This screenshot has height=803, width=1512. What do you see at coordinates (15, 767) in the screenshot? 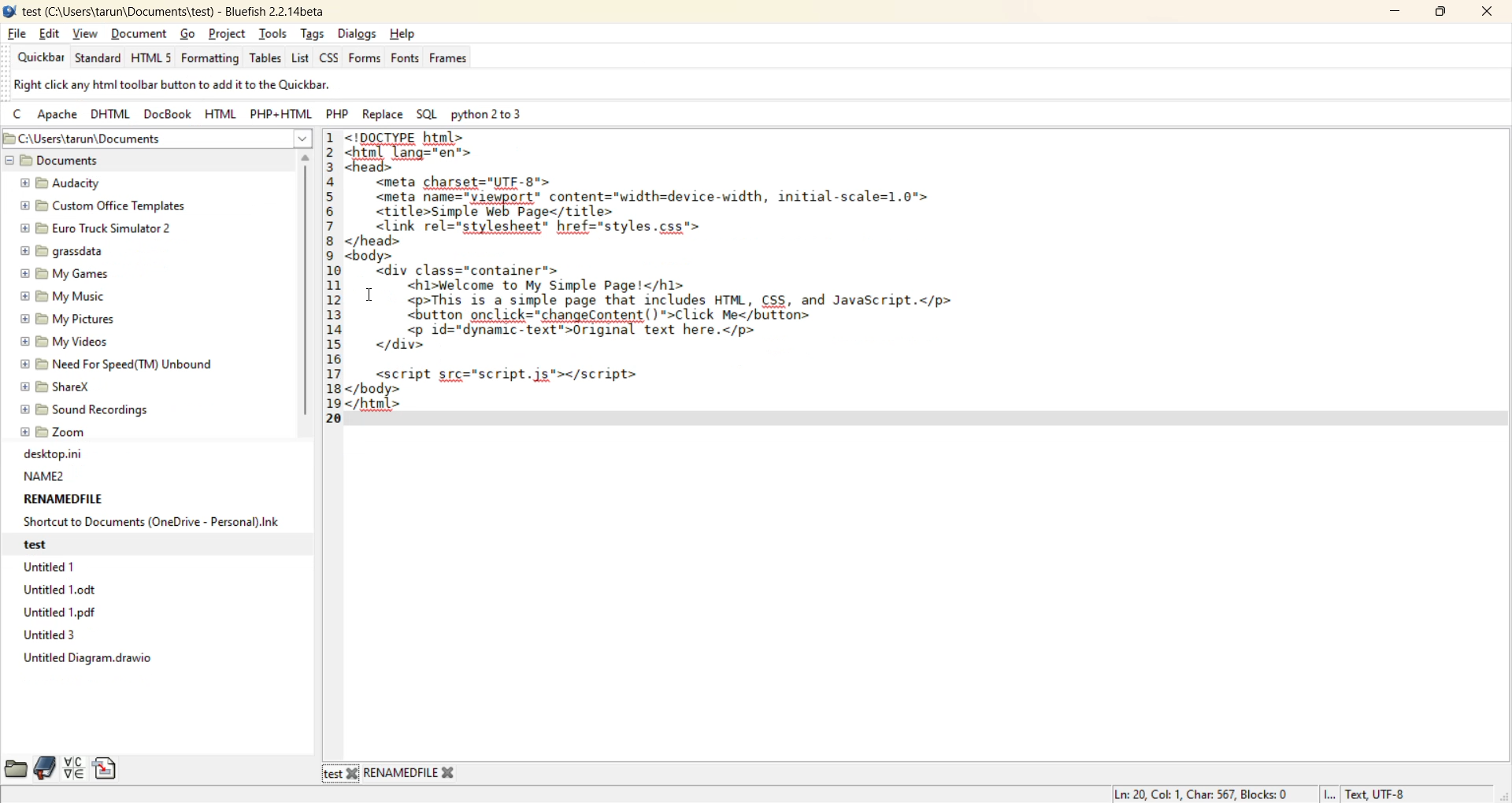
I see `file browser` at bounding box center [15, 767].